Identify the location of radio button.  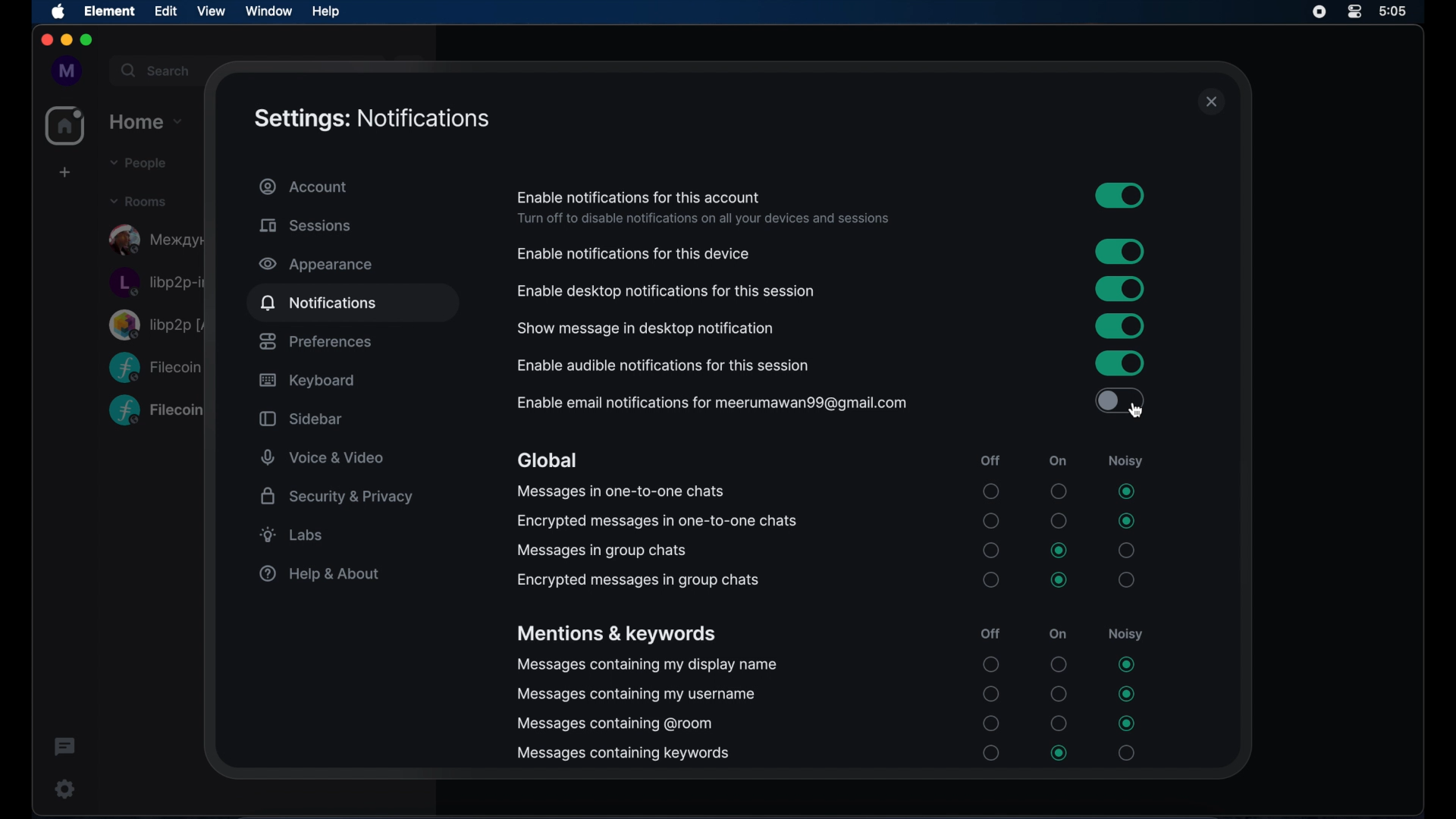
(1058, 694).